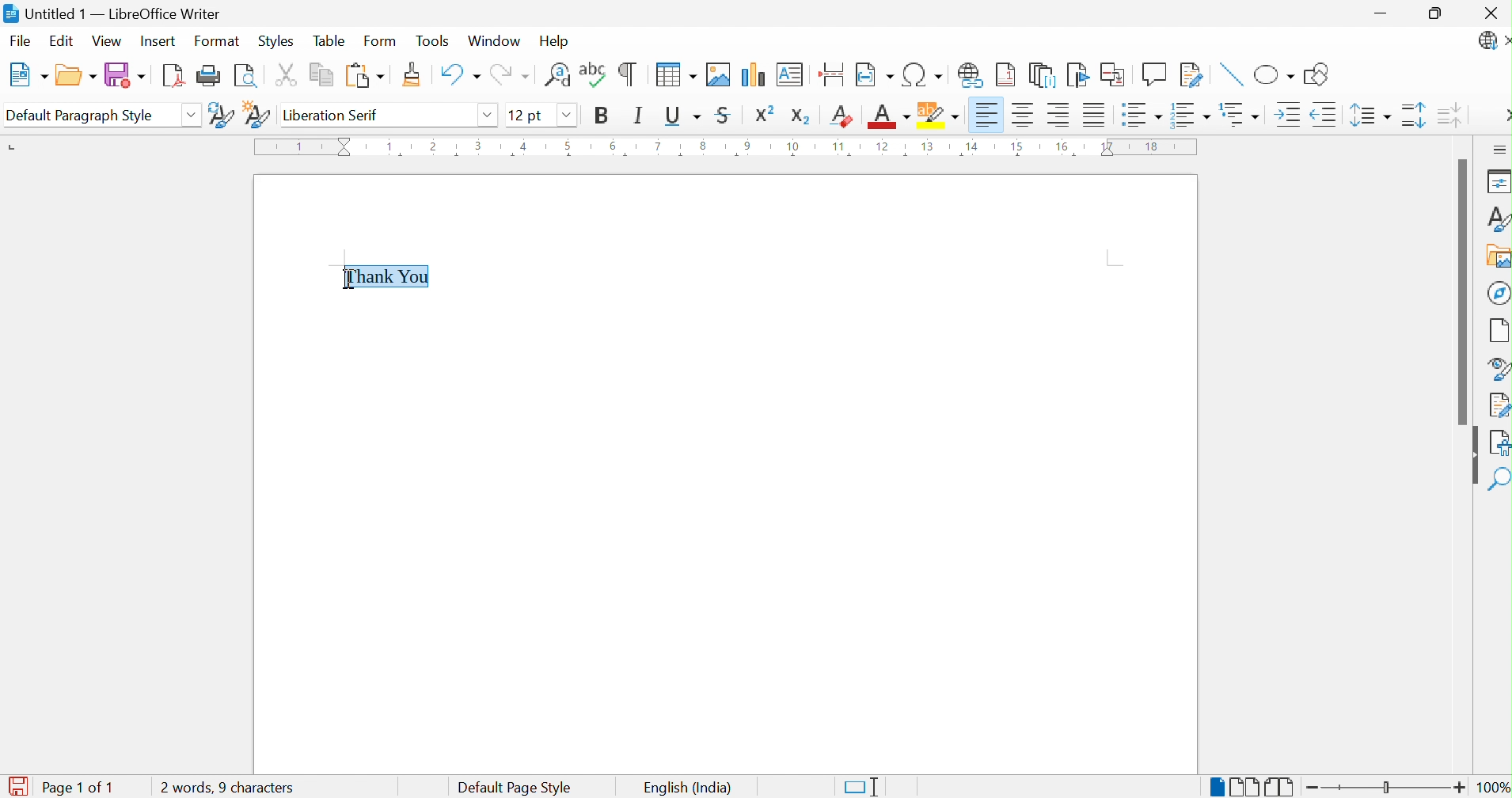 Image resolution: width=1512 pixels, height=798 pixels. What do you see at coordinates (275, 40) in the screenshot?
I see `Styles` at bounding box center [275, 40].